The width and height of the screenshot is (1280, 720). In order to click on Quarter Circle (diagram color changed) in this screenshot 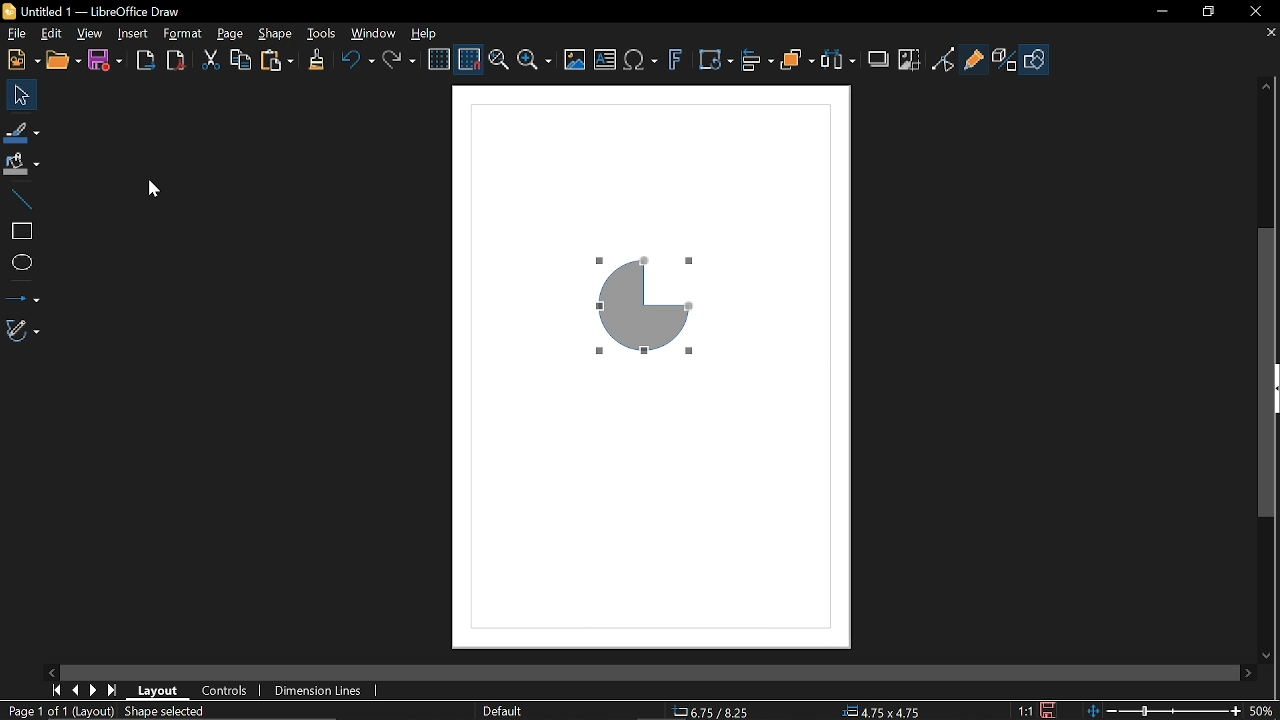, I will do `click(655, 311)`.